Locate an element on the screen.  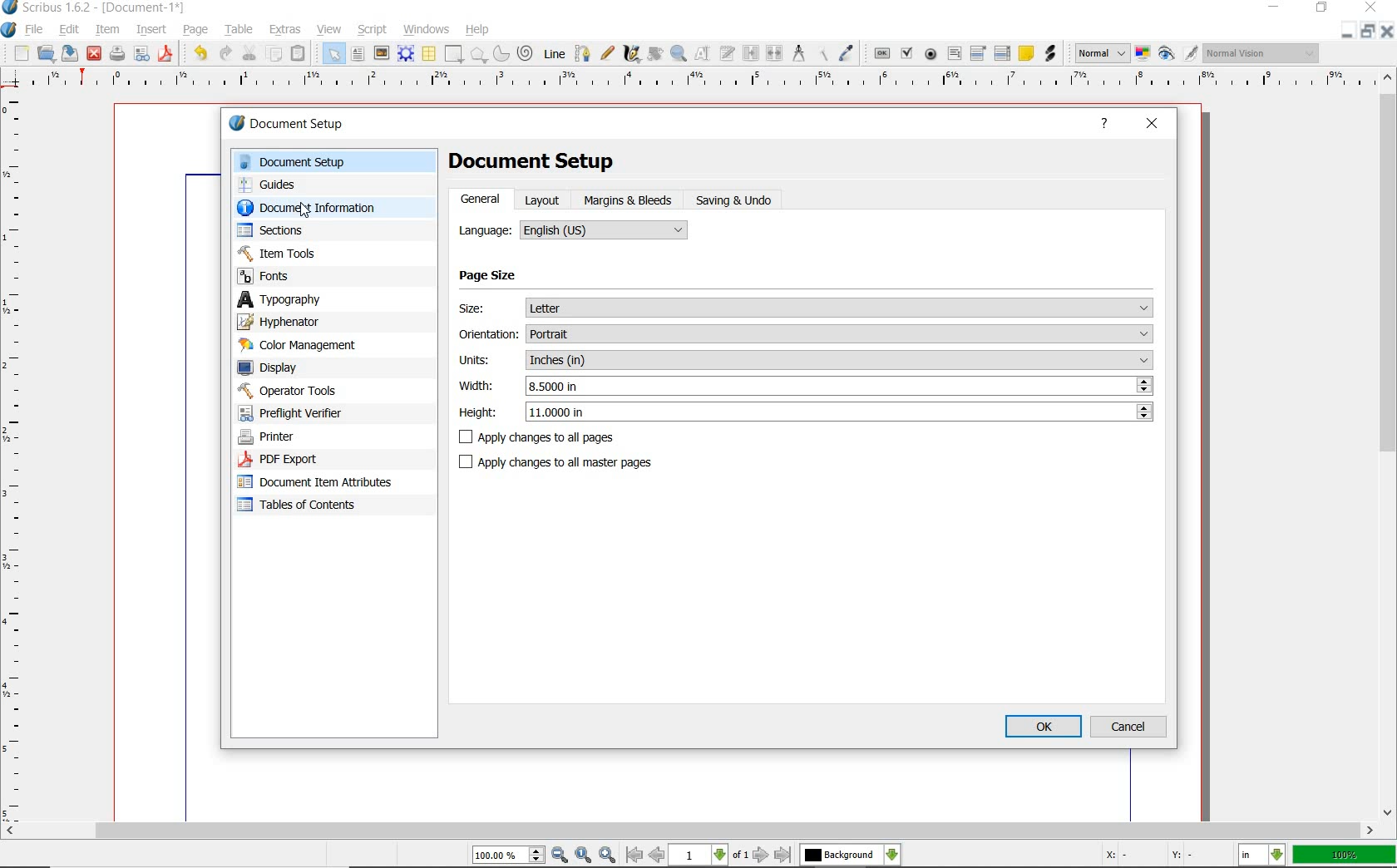
tables of contents is located at coordinates (308, 506).